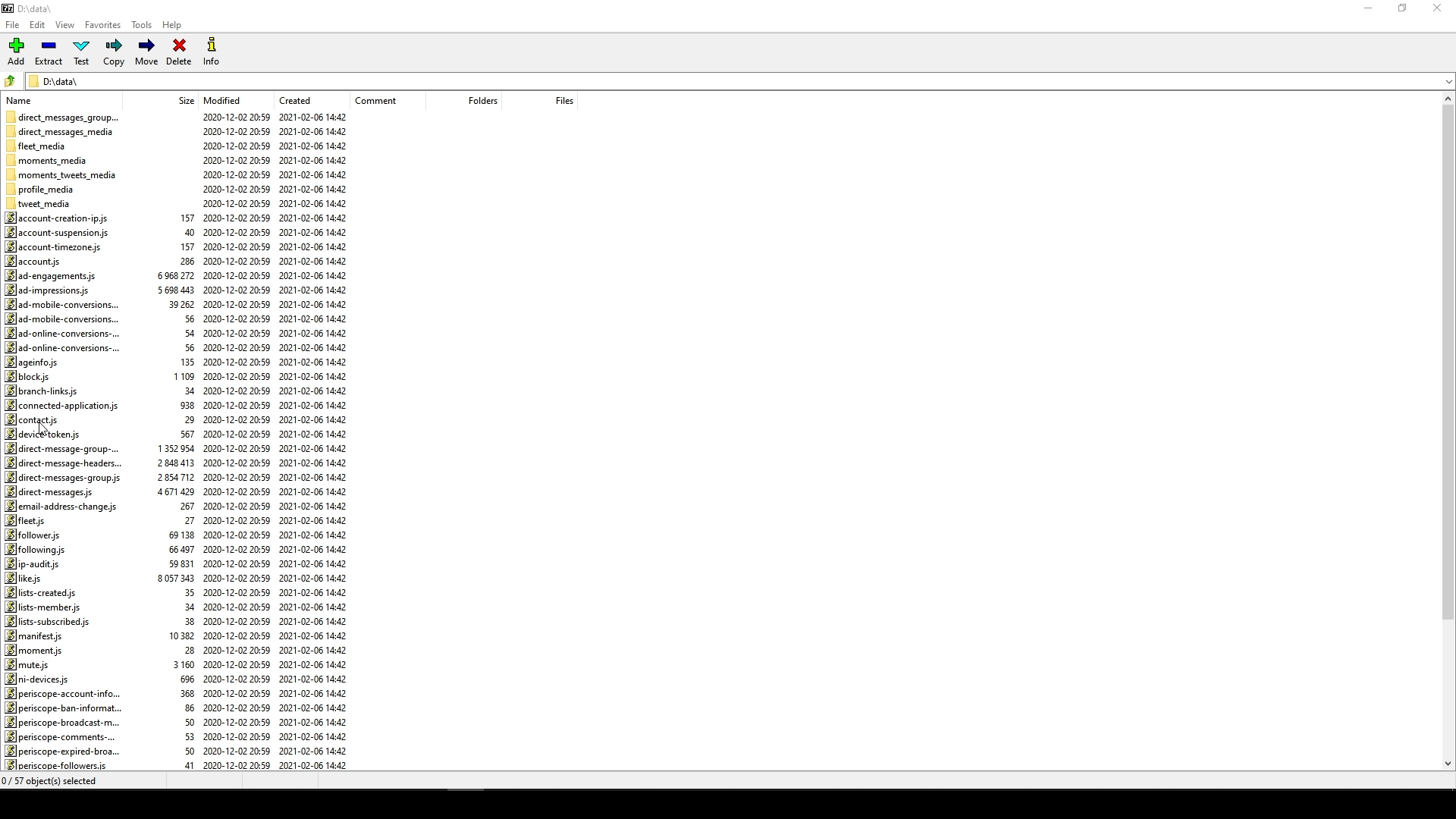 The width and height of the screenshot is (1456, 819). I want to click on fleet.js, so click(28, 520).